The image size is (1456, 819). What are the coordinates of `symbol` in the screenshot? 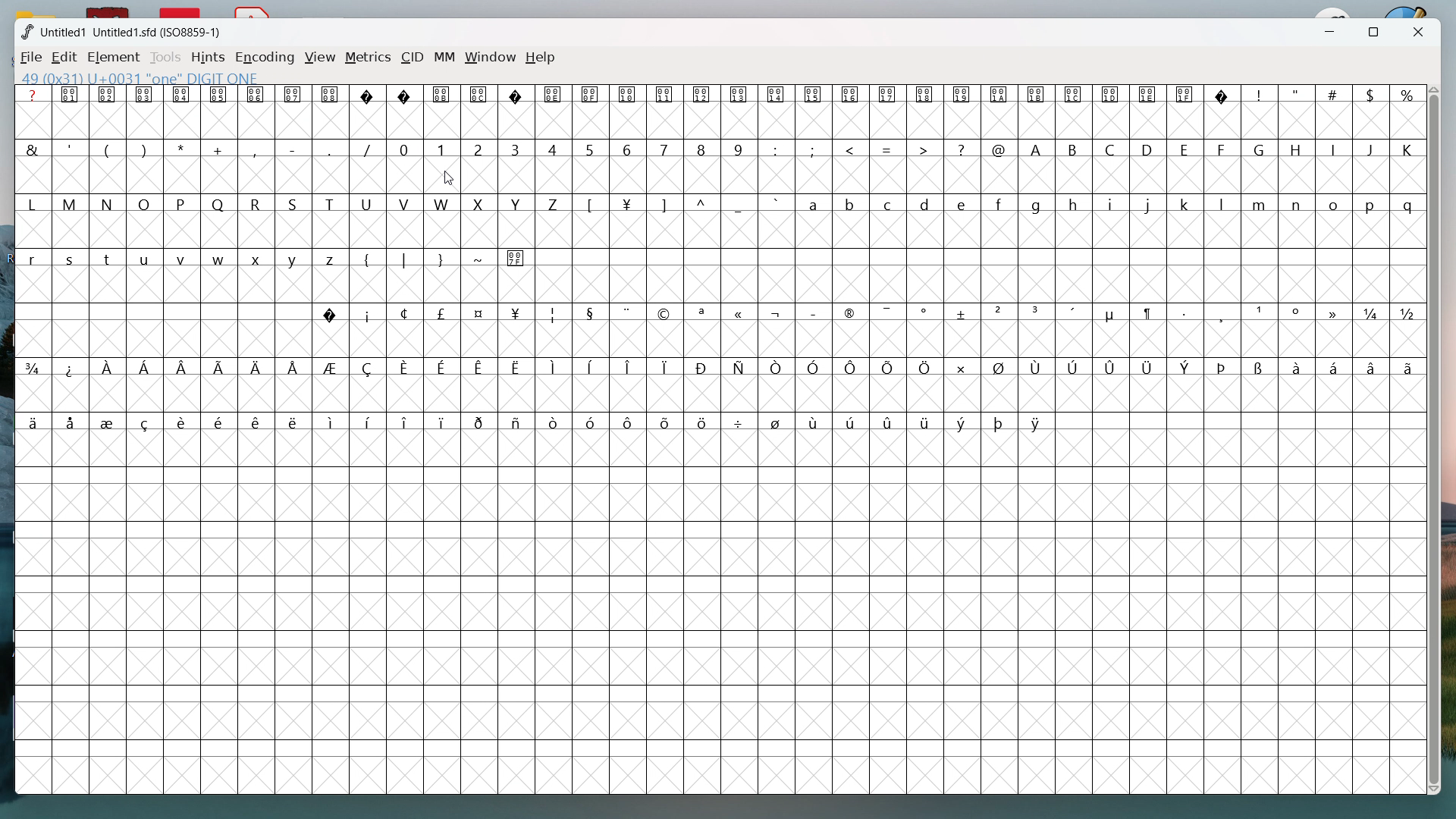 It's located at (999, 93).